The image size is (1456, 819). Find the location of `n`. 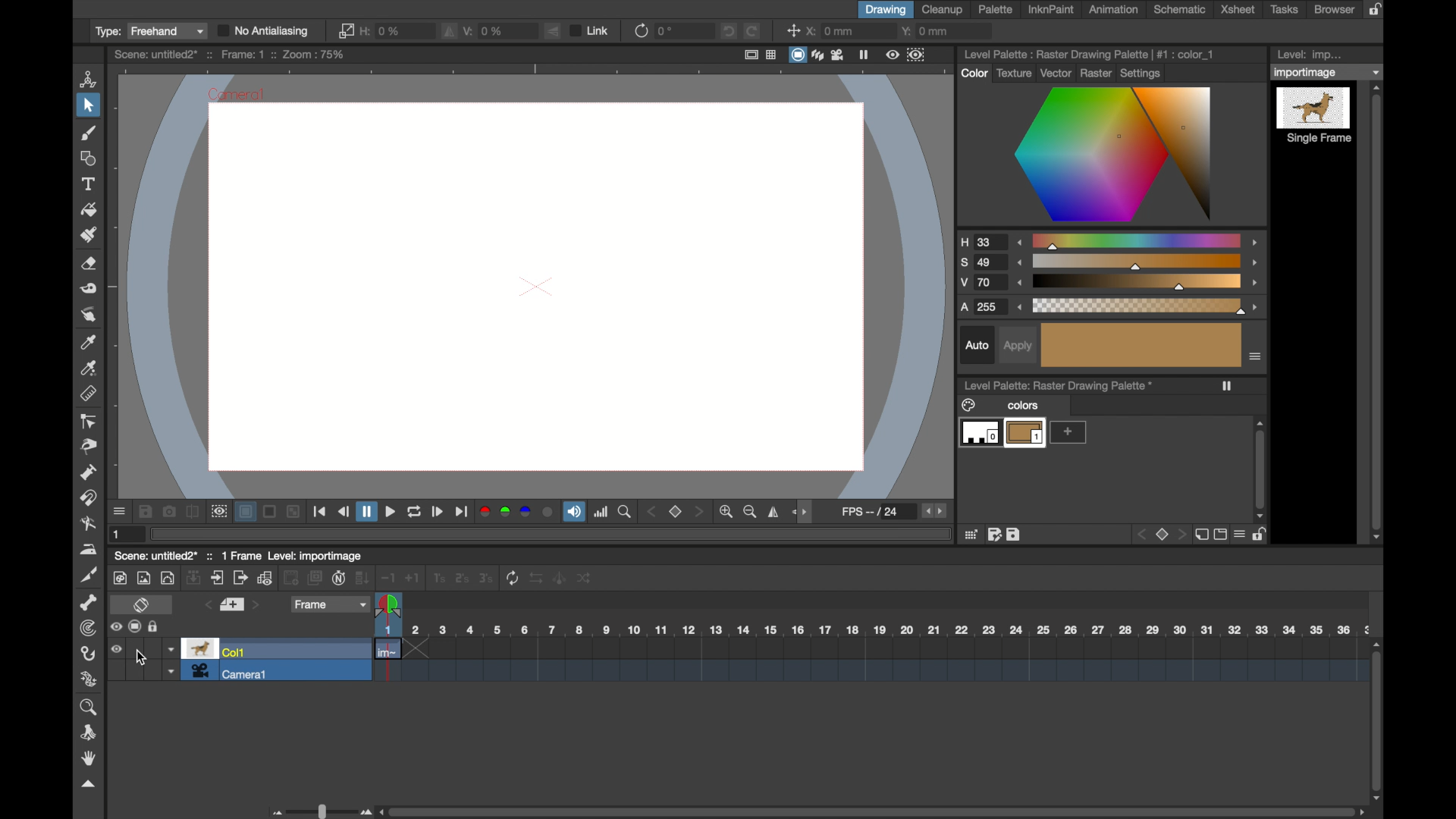

n is located at coordinates (339, 578).